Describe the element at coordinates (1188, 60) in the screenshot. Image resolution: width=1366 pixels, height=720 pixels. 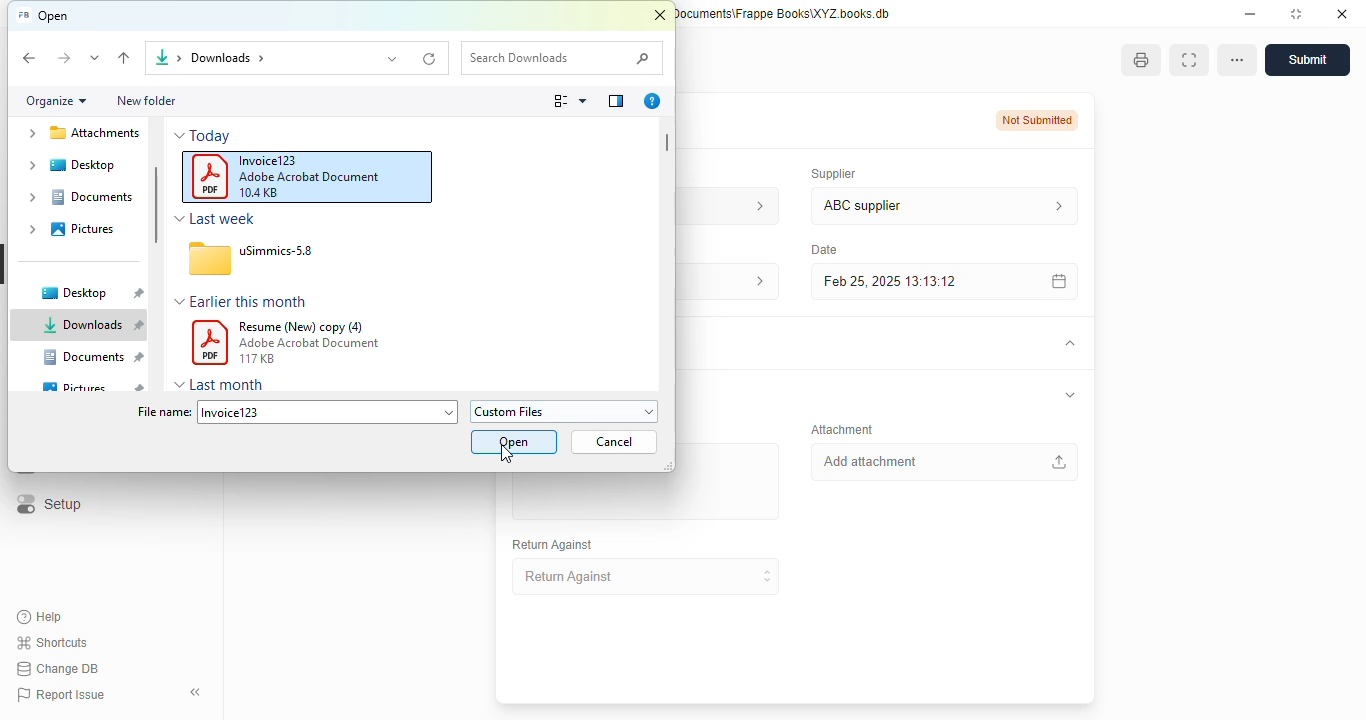
I see `toggle between form and full width` at that location.